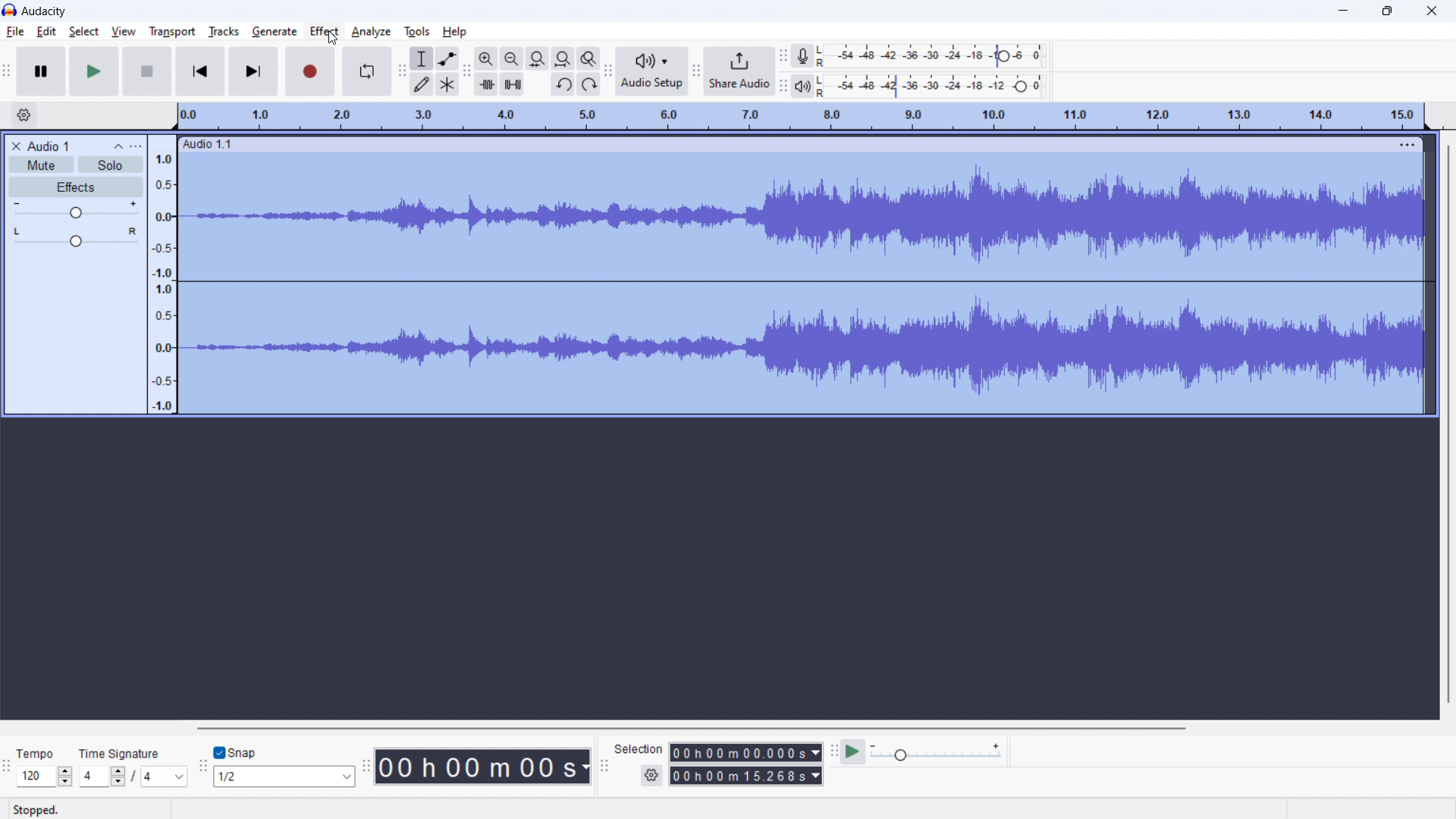  I want to click on zoom in, so click(486, 58).